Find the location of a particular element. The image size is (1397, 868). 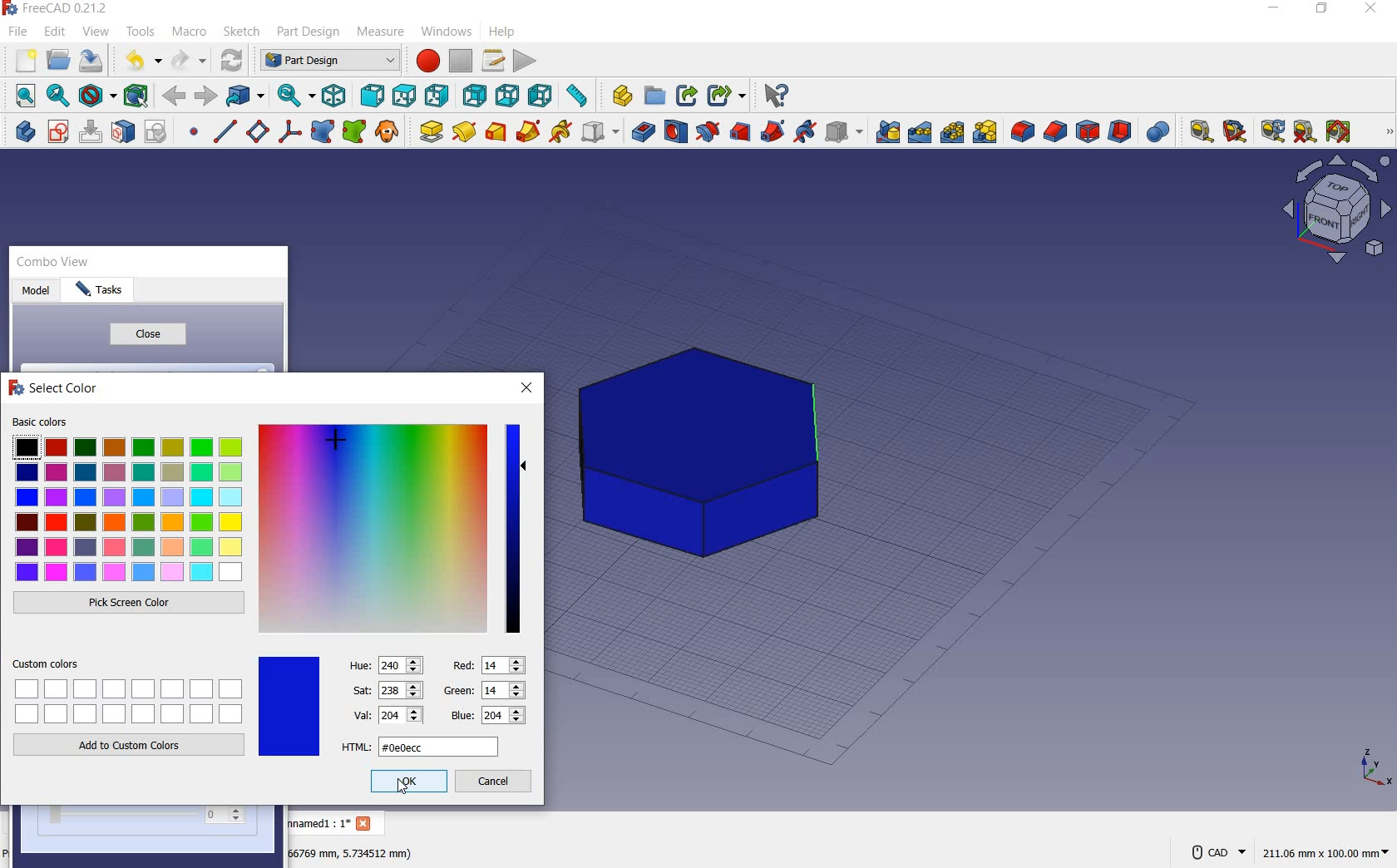

tasks is located at coordinates (108, 293).